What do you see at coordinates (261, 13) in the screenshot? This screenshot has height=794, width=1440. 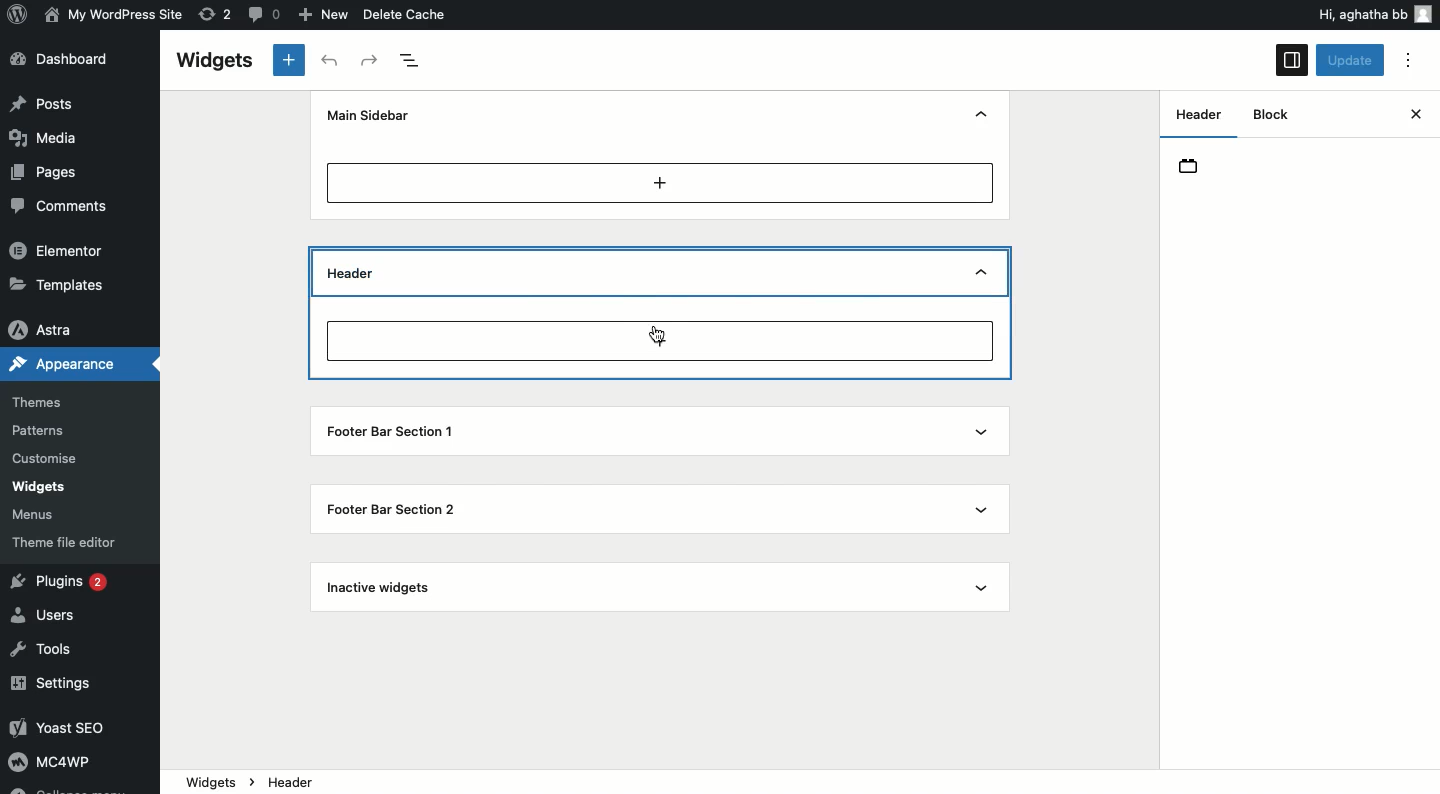 I see `Comment` at bounding box center [261, 13].